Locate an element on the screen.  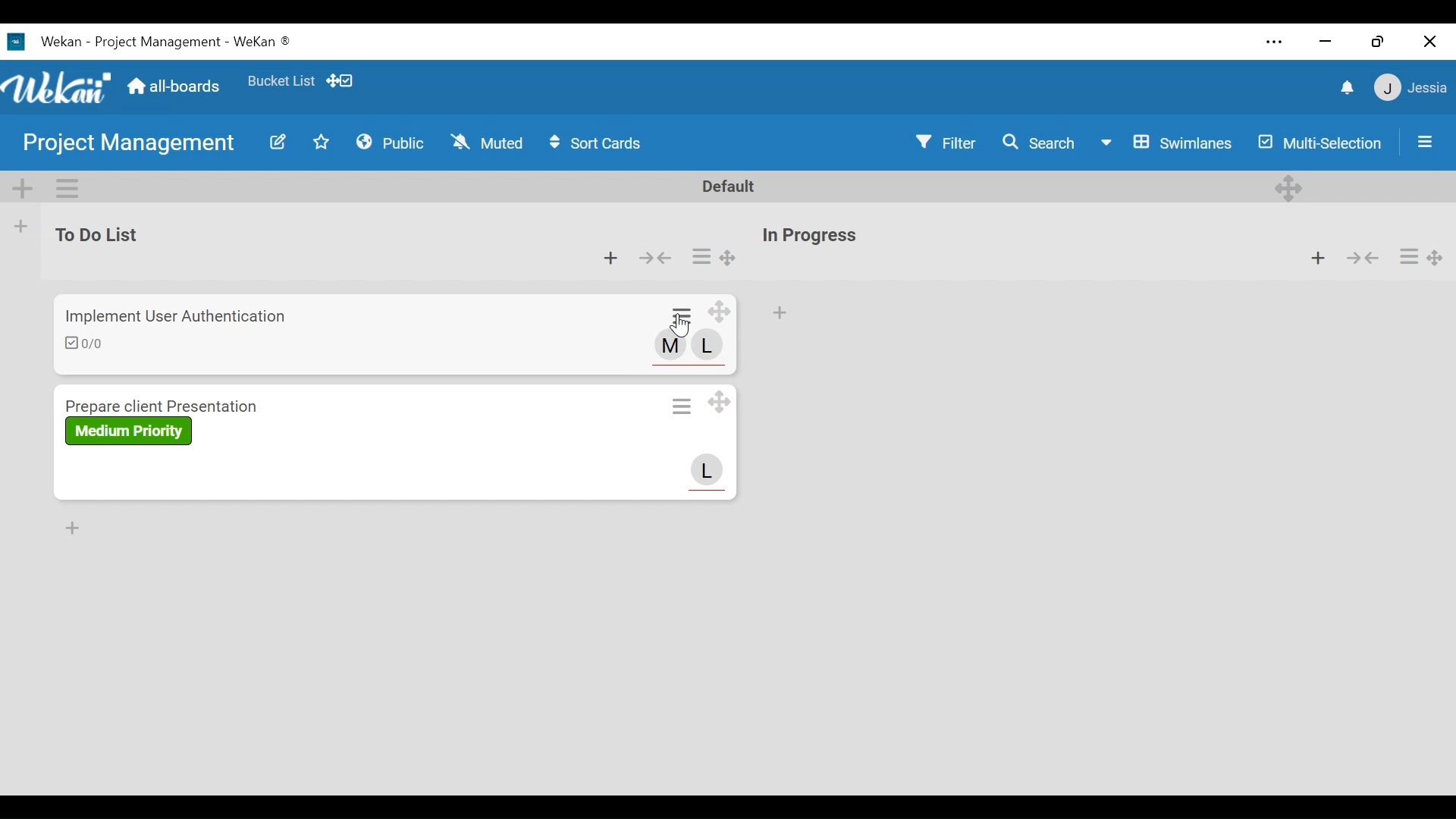
Card Title is located at coordinates (168, 403).